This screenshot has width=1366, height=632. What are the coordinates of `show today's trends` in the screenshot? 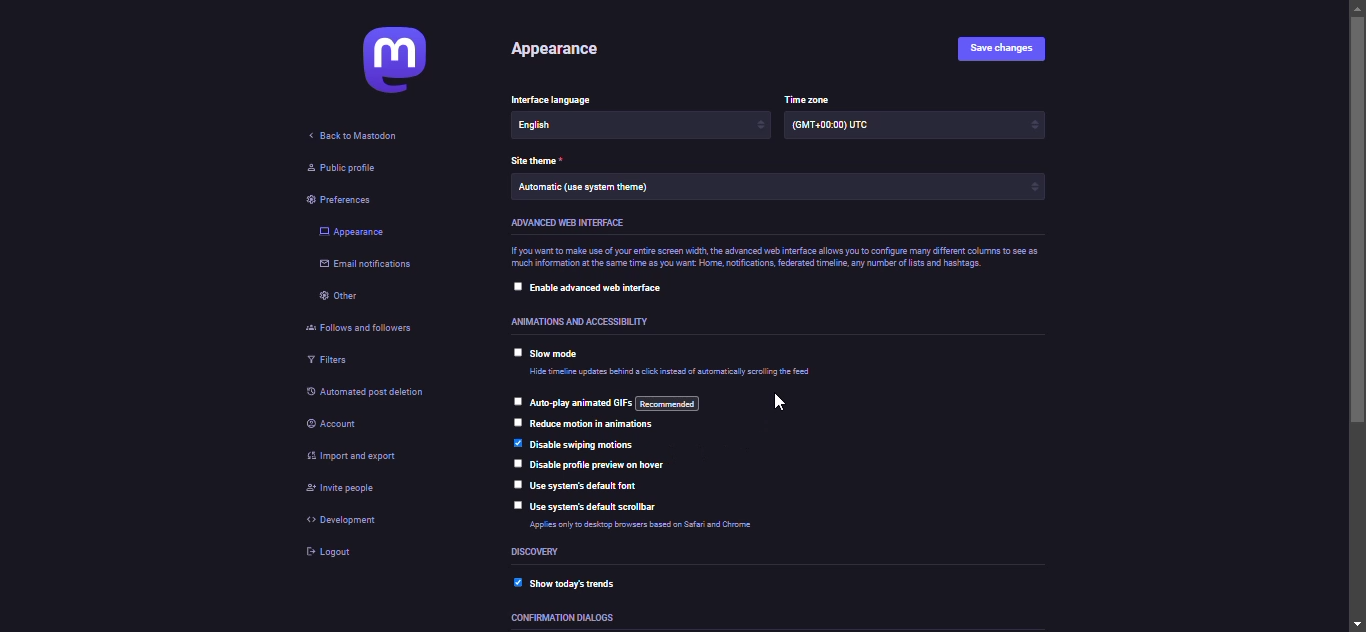 It's located at (579, 586).